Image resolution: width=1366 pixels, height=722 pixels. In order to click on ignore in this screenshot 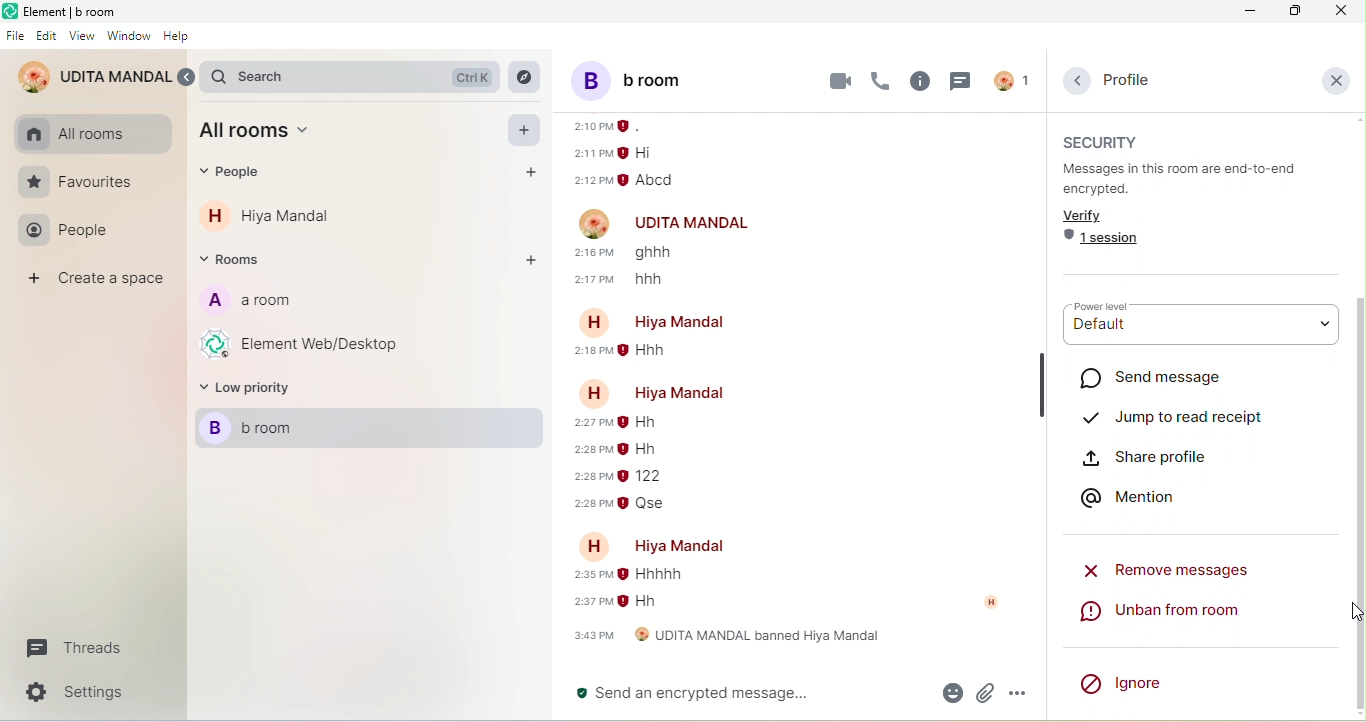, I will do `click(1124, 680)`.